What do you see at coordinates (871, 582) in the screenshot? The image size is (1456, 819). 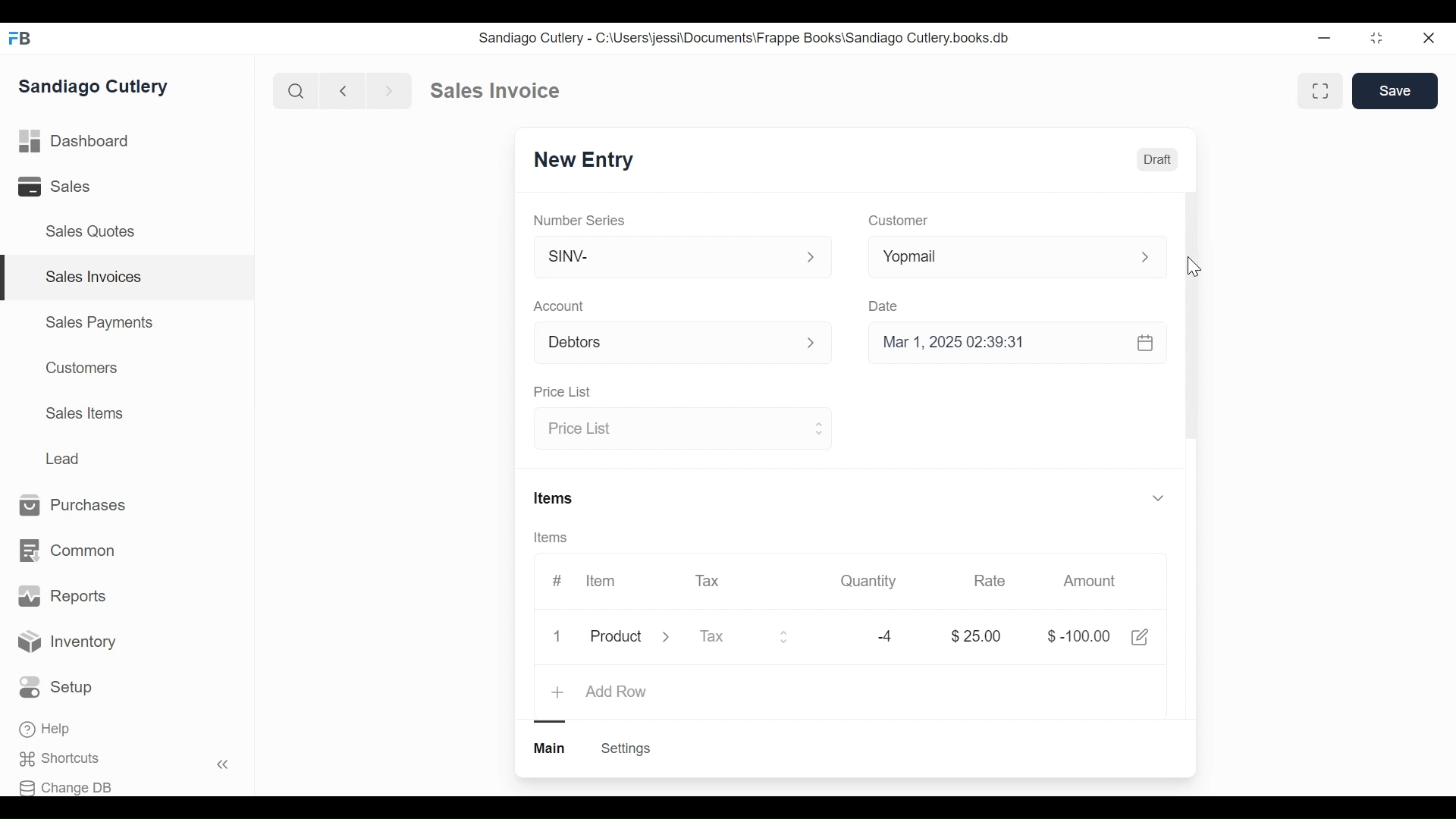 I see `Quantity` at bounding box center [871, 582].